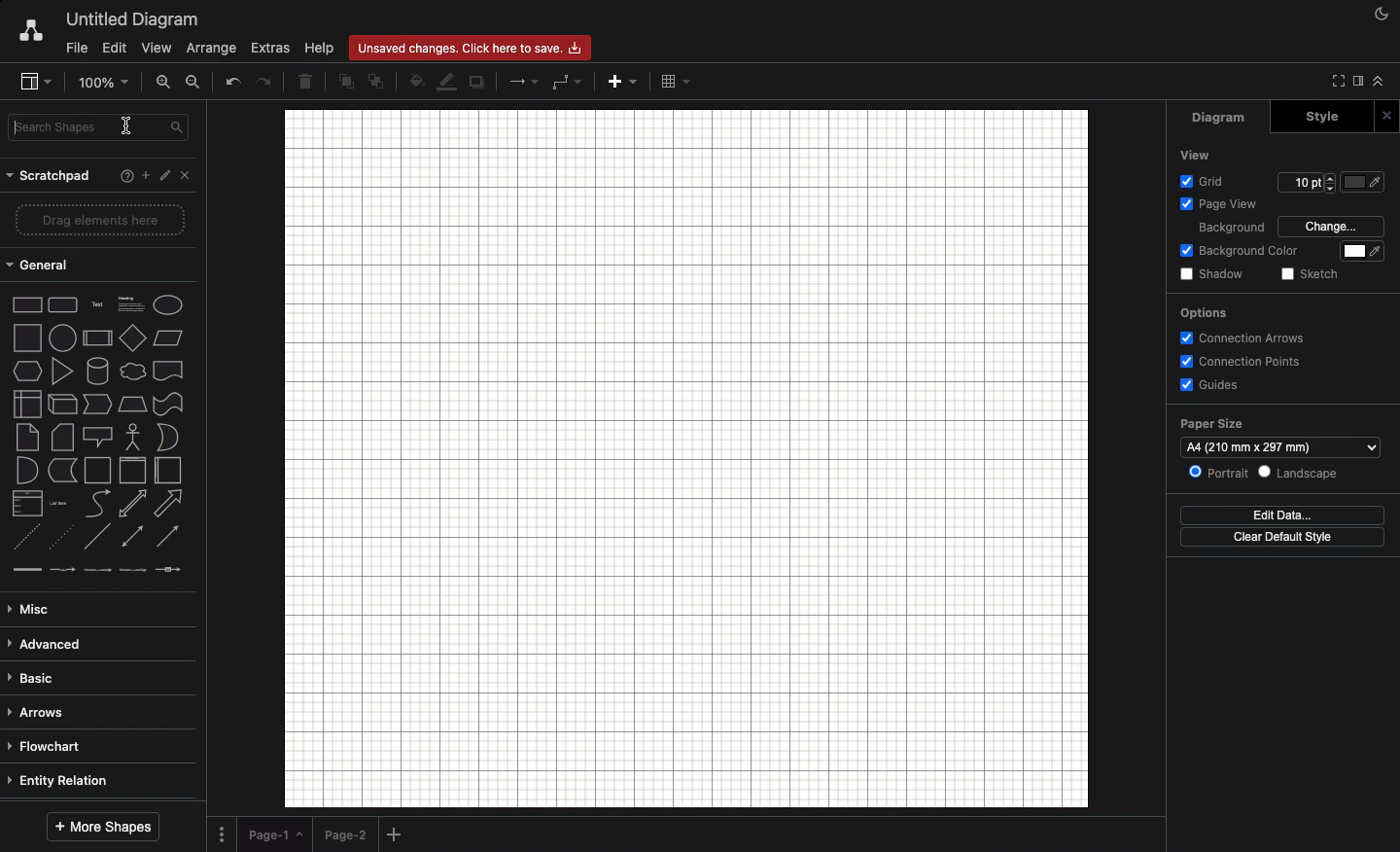 This screenshot has width=1400, height=852. What do you see at coordinates (214, 47) in the screenshot?
I see `Arrange` at bounding box center [214, 47].